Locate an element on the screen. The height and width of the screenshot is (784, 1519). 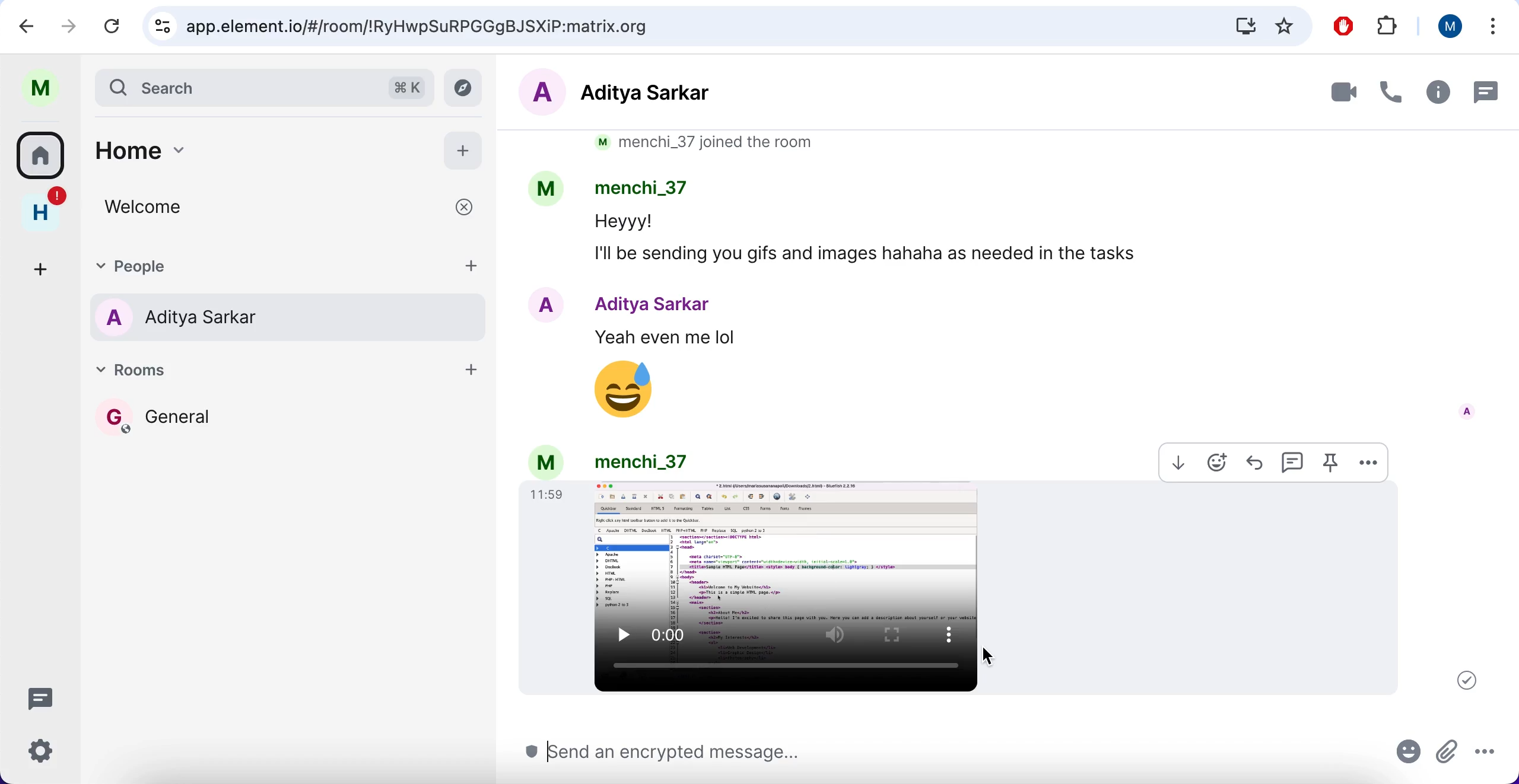
welcome is located at coordinates (294, 208).